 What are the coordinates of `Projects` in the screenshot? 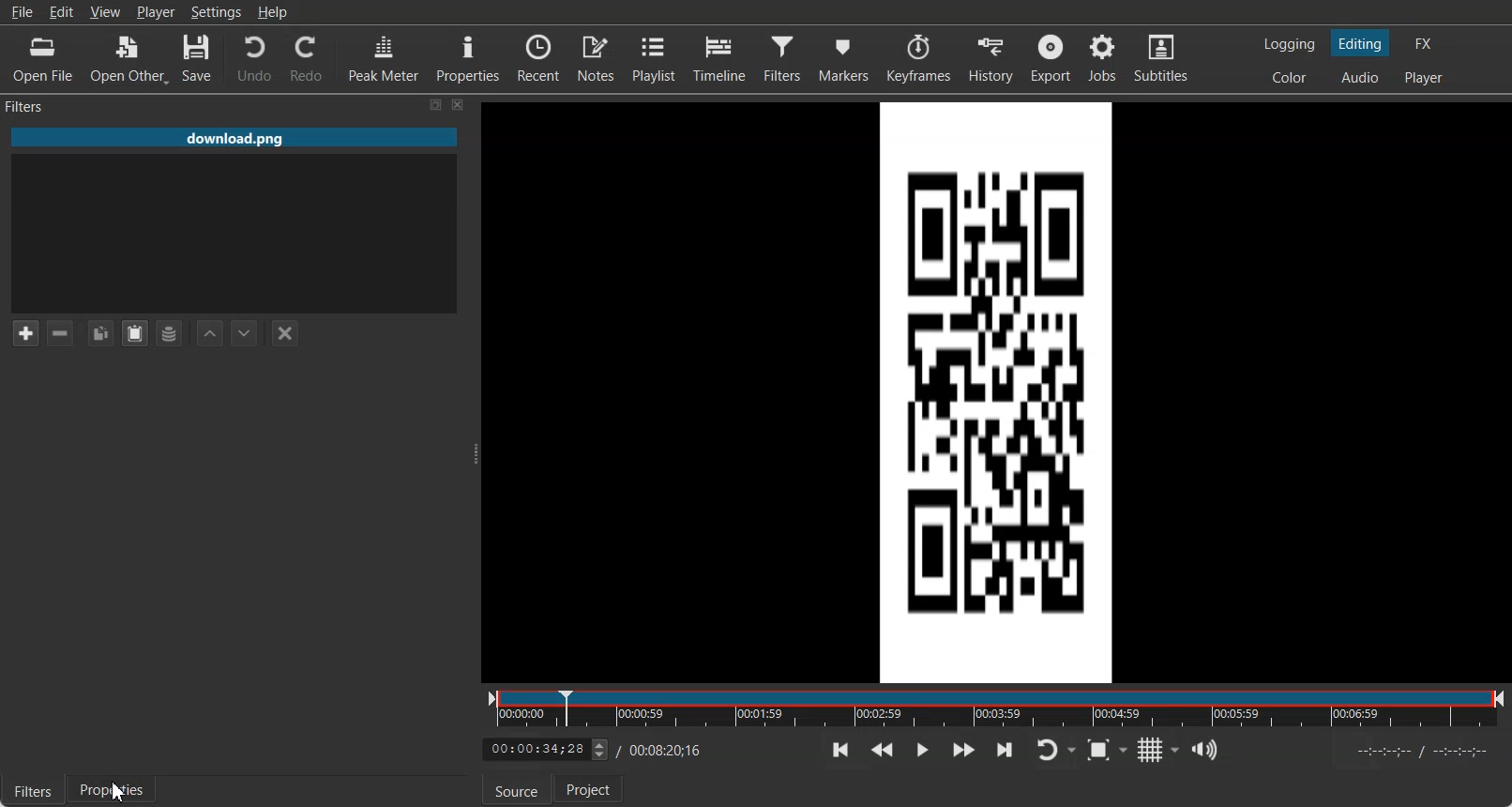 It's located at (589, 787).